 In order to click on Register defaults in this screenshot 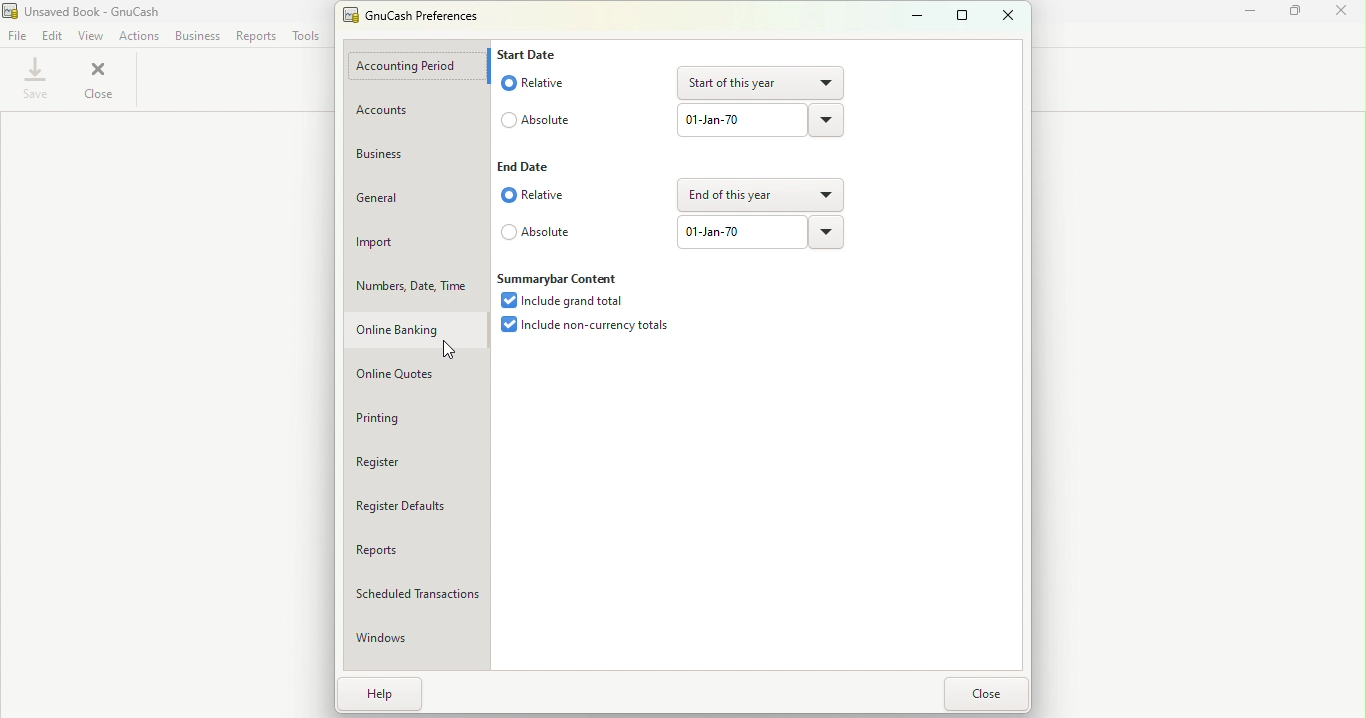, I will do `click(419, 506)`.